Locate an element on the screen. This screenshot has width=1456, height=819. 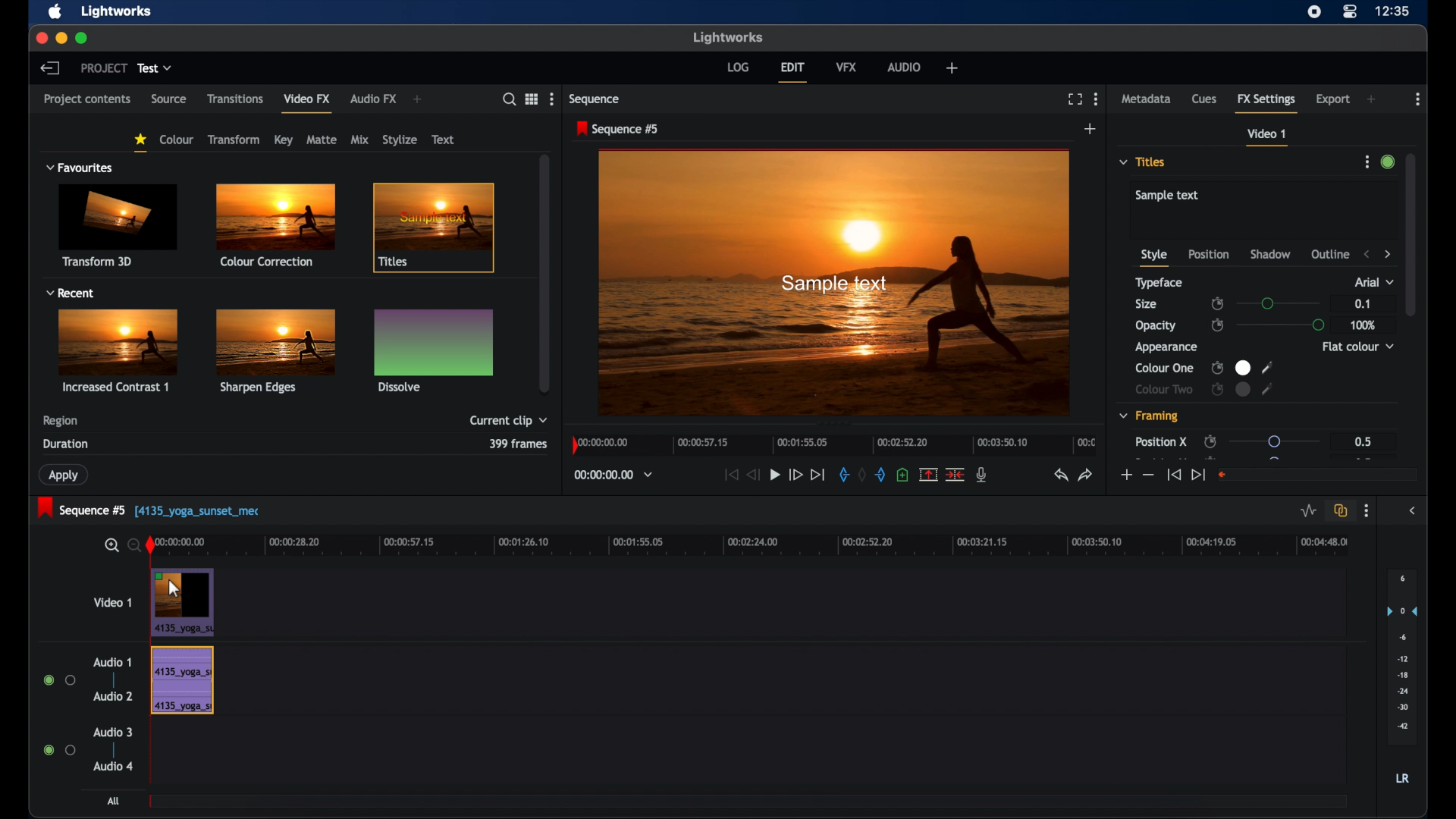
audio fx is located at coordinates (375, 99).